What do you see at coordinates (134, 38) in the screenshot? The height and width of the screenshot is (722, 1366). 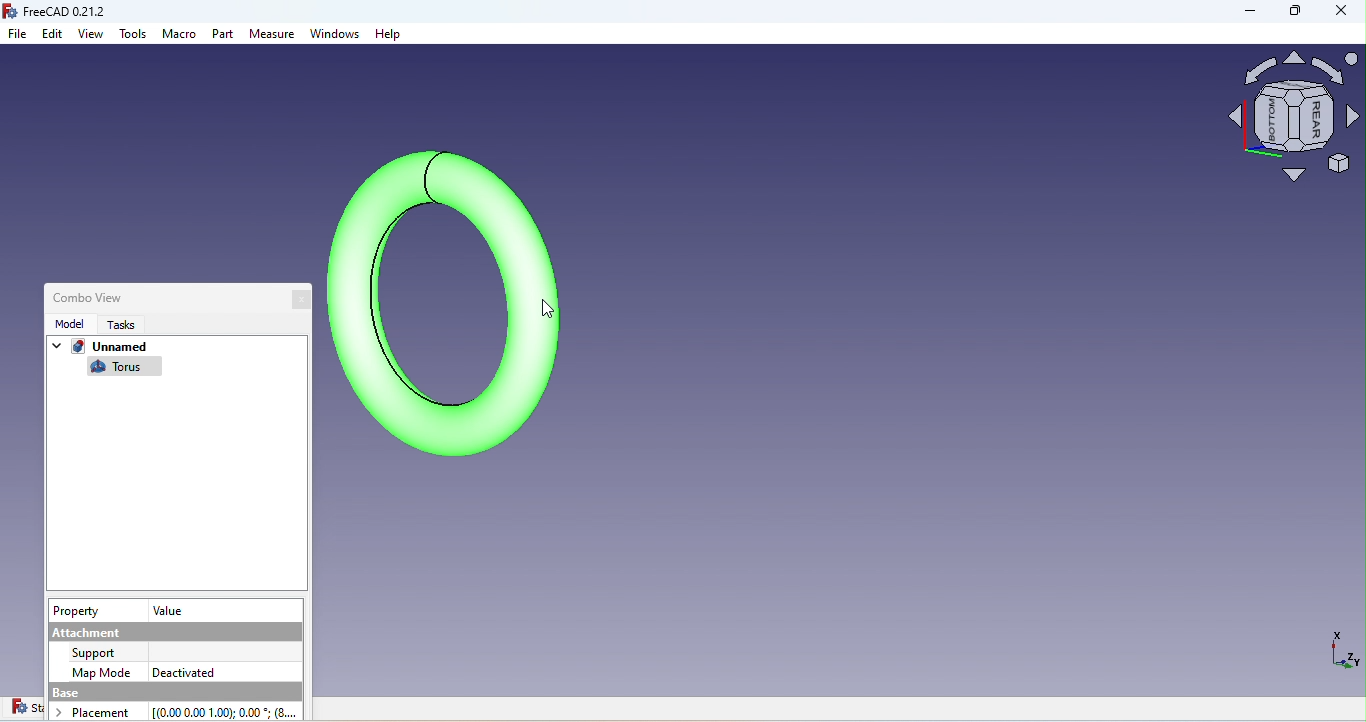 I see `Tools` at bounding box center [134, 38].